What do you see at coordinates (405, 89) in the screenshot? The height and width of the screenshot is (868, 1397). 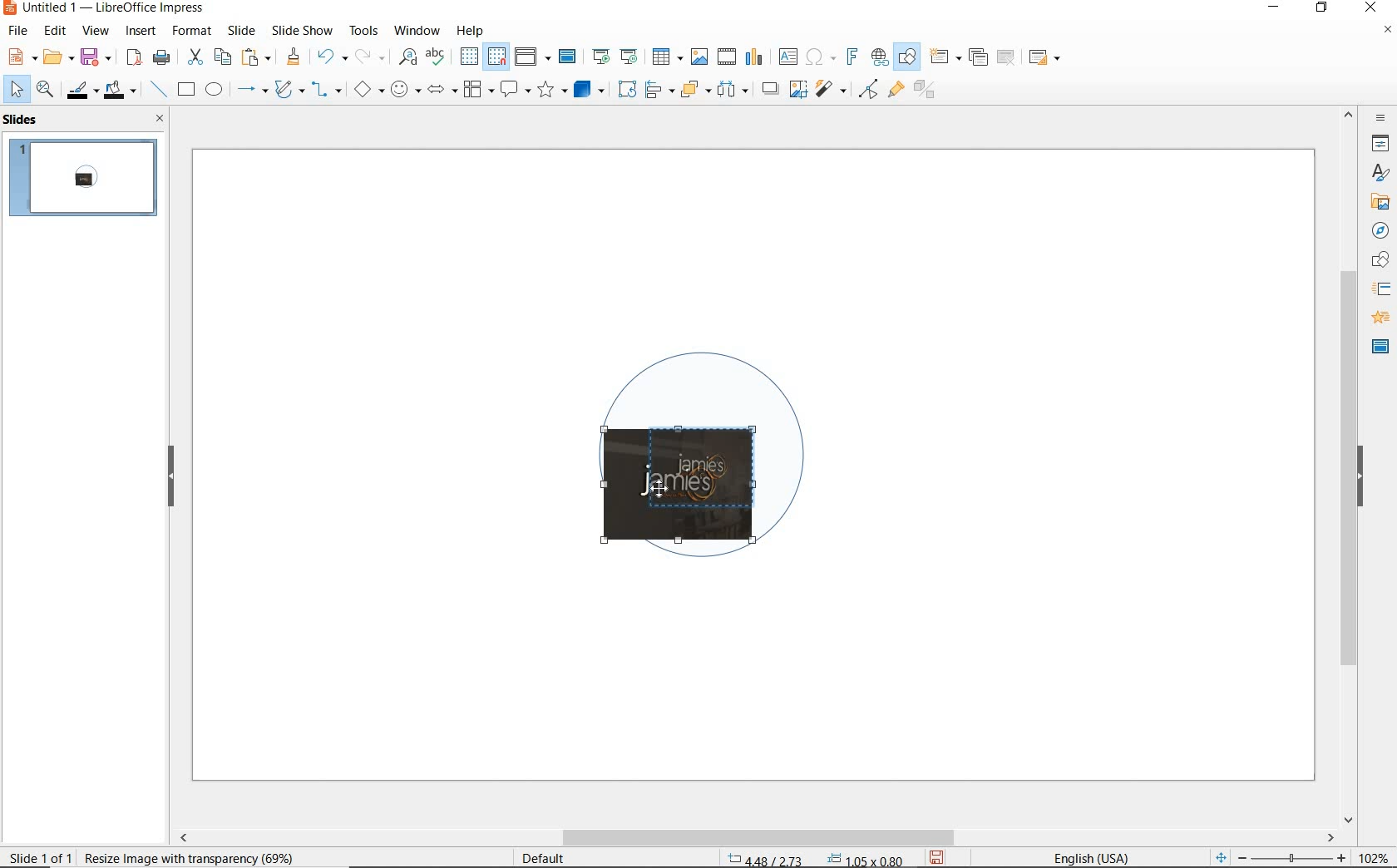 I see `symbol shapes` at bounding box center [405, 89].